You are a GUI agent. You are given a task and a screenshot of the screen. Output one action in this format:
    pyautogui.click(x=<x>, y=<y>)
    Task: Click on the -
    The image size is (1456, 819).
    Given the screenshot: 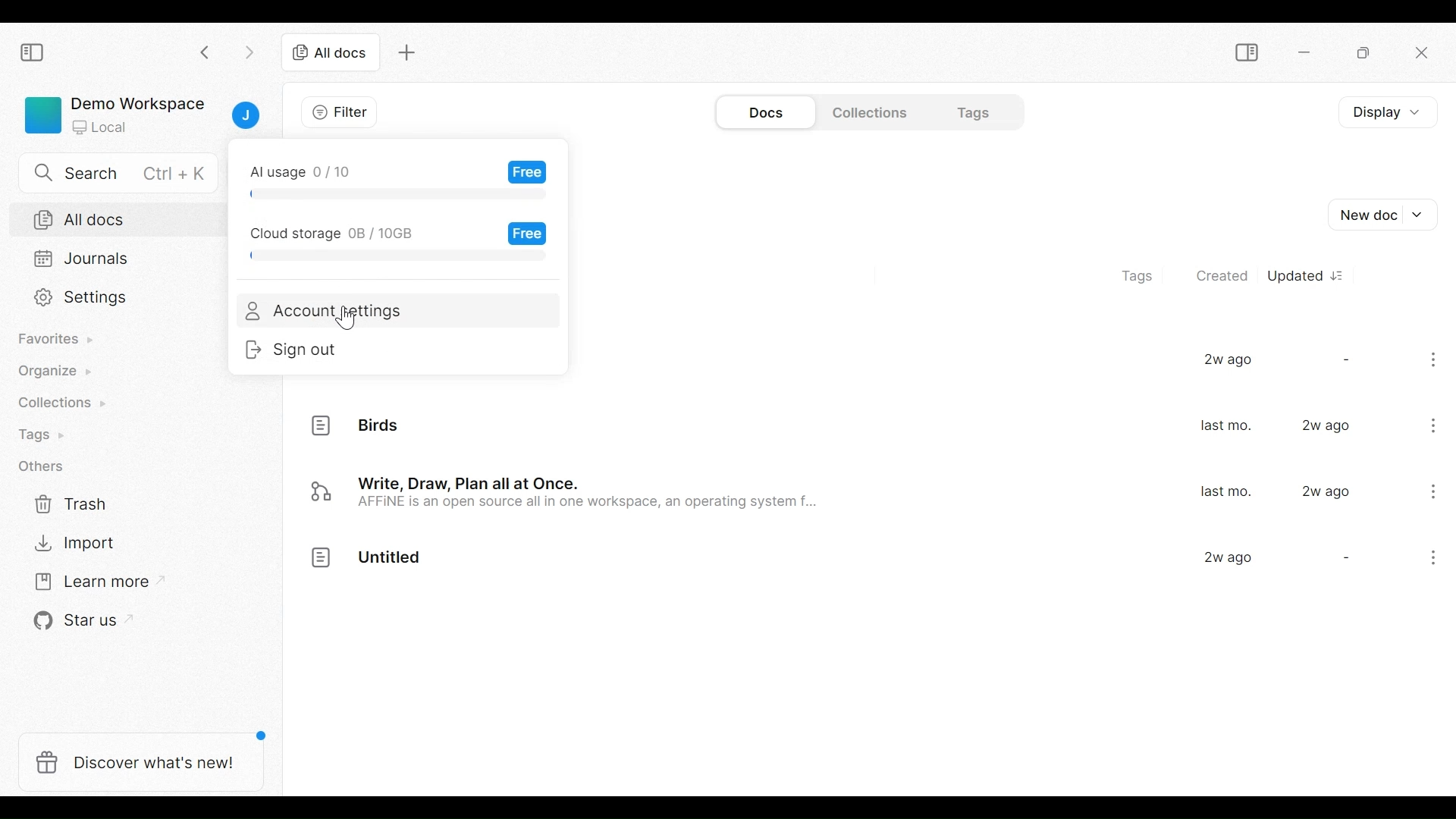 What is the action you would take?
    pyautogui.click(x=1344, y=559)
    